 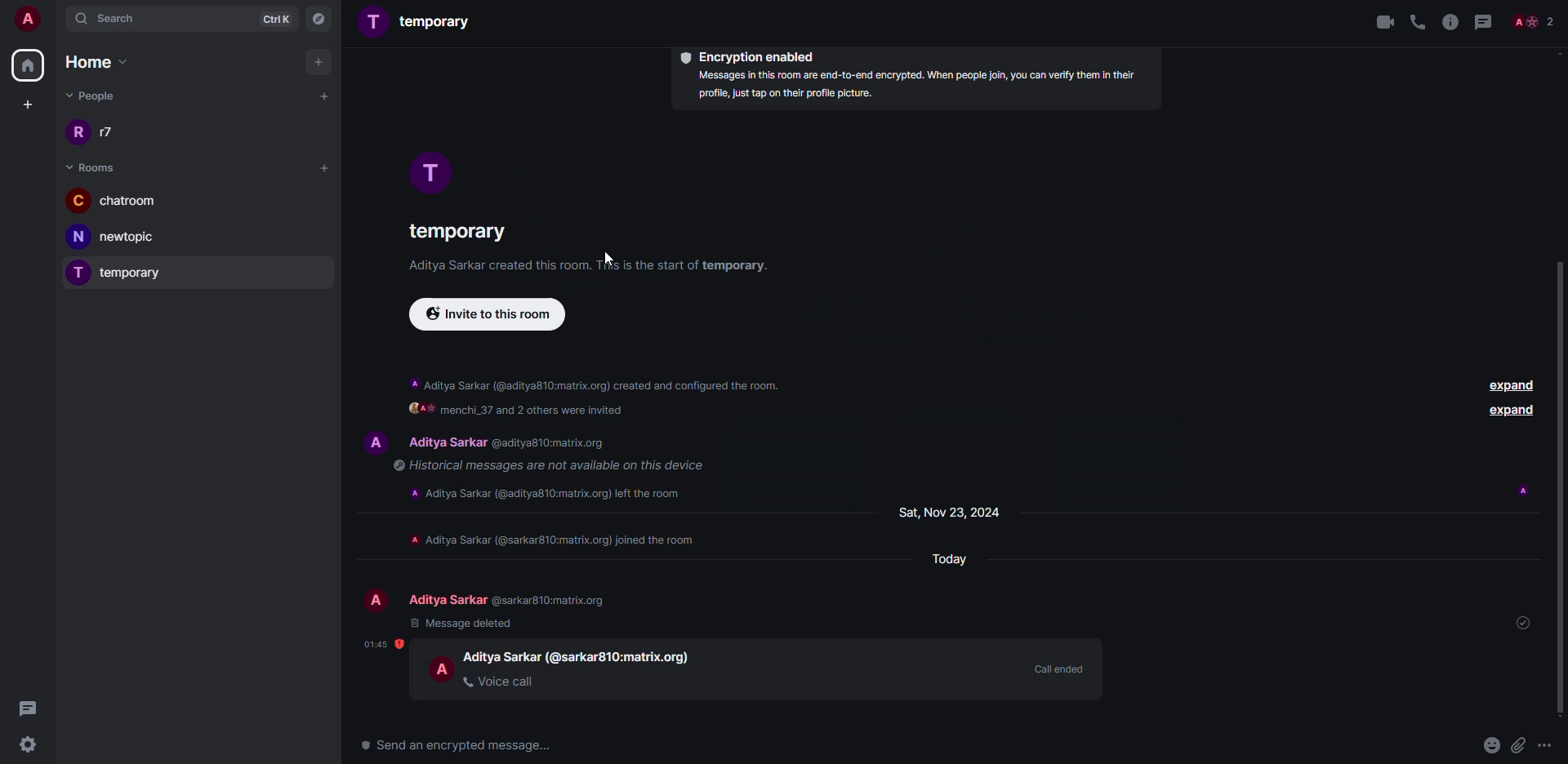 I want to click on seen, so click(x=1516, y=488).